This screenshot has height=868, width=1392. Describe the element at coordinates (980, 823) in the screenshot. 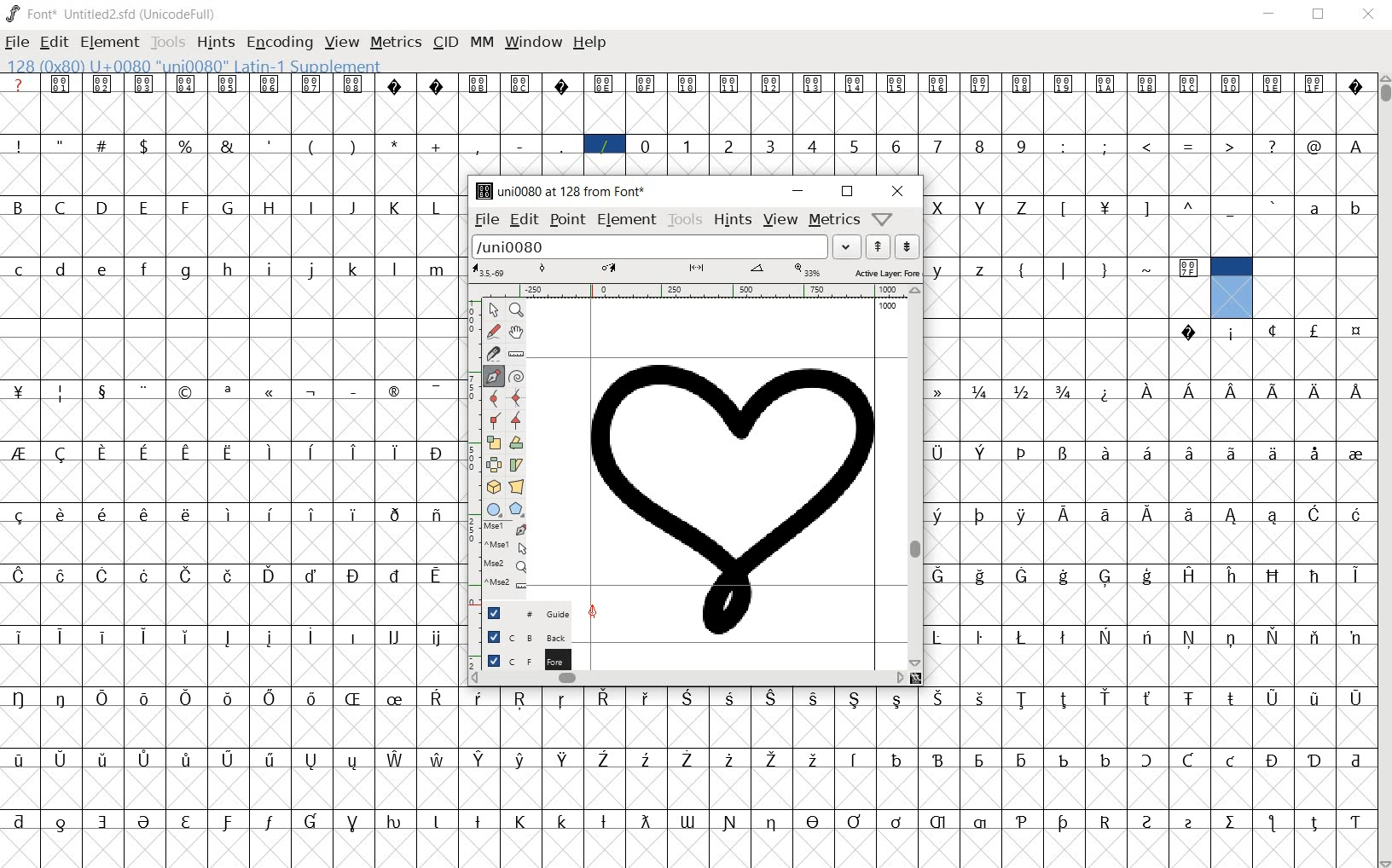

I see `glyph` at that location.